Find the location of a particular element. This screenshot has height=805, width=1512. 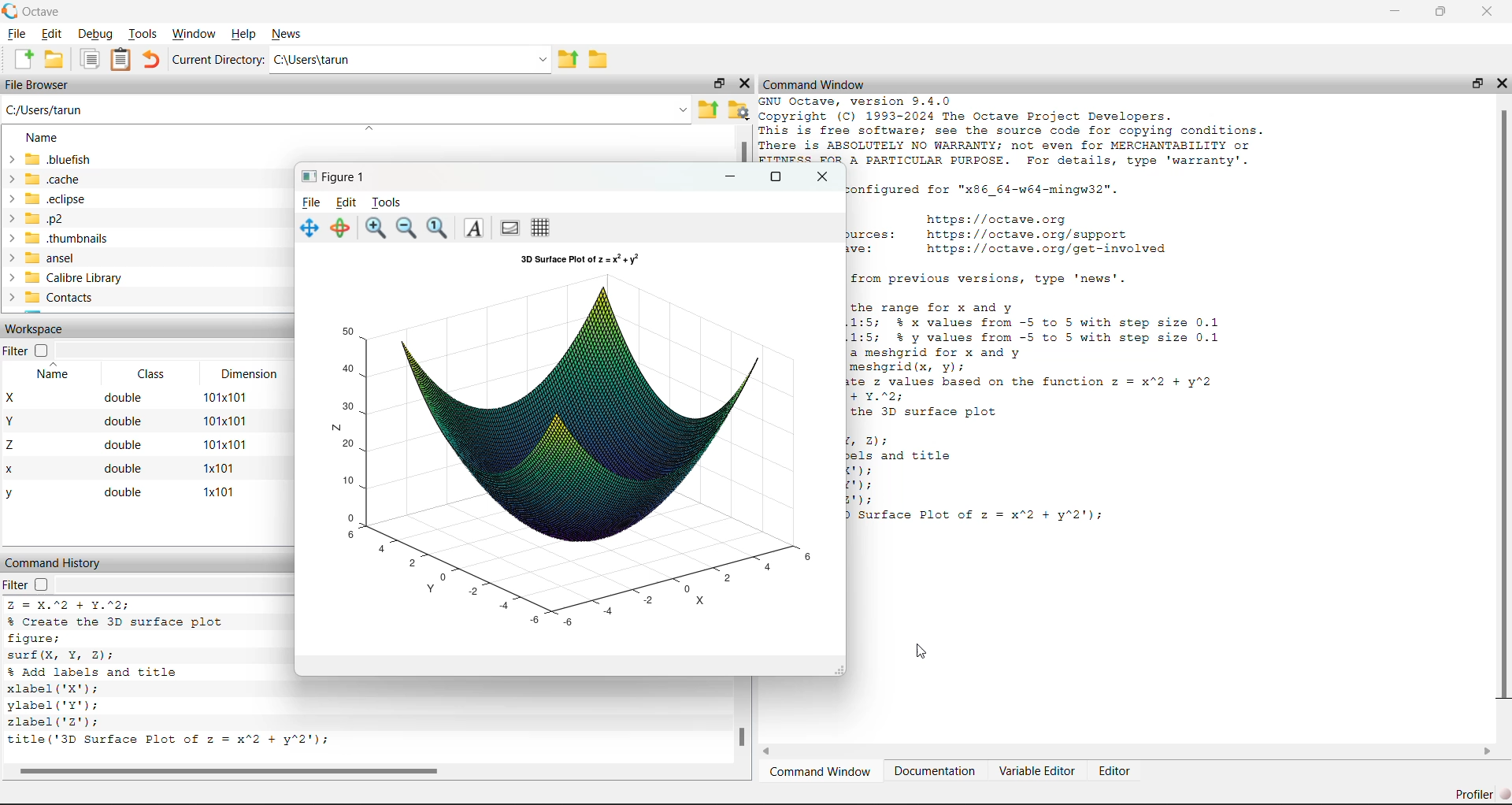

Undo is located at coordinates (151, 59).